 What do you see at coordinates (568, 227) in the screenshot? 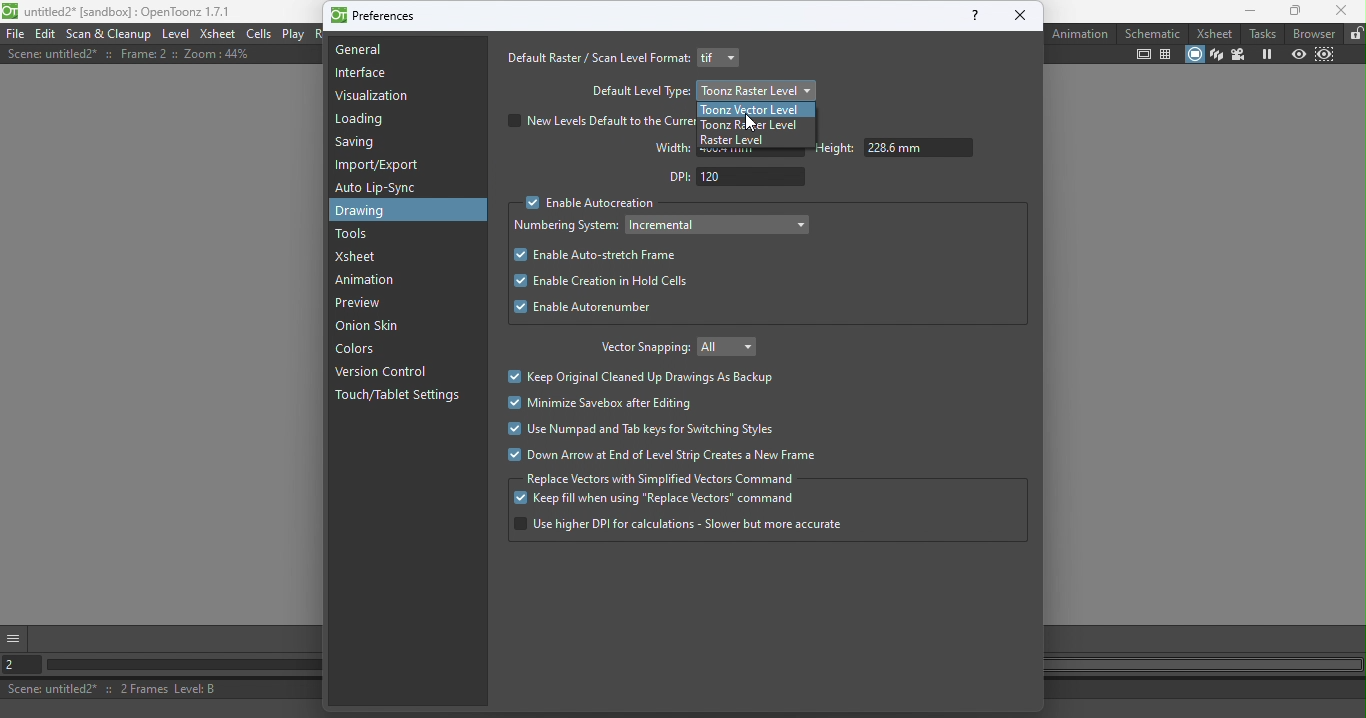
I see `Numbering system` at bounding box center [568, 227].